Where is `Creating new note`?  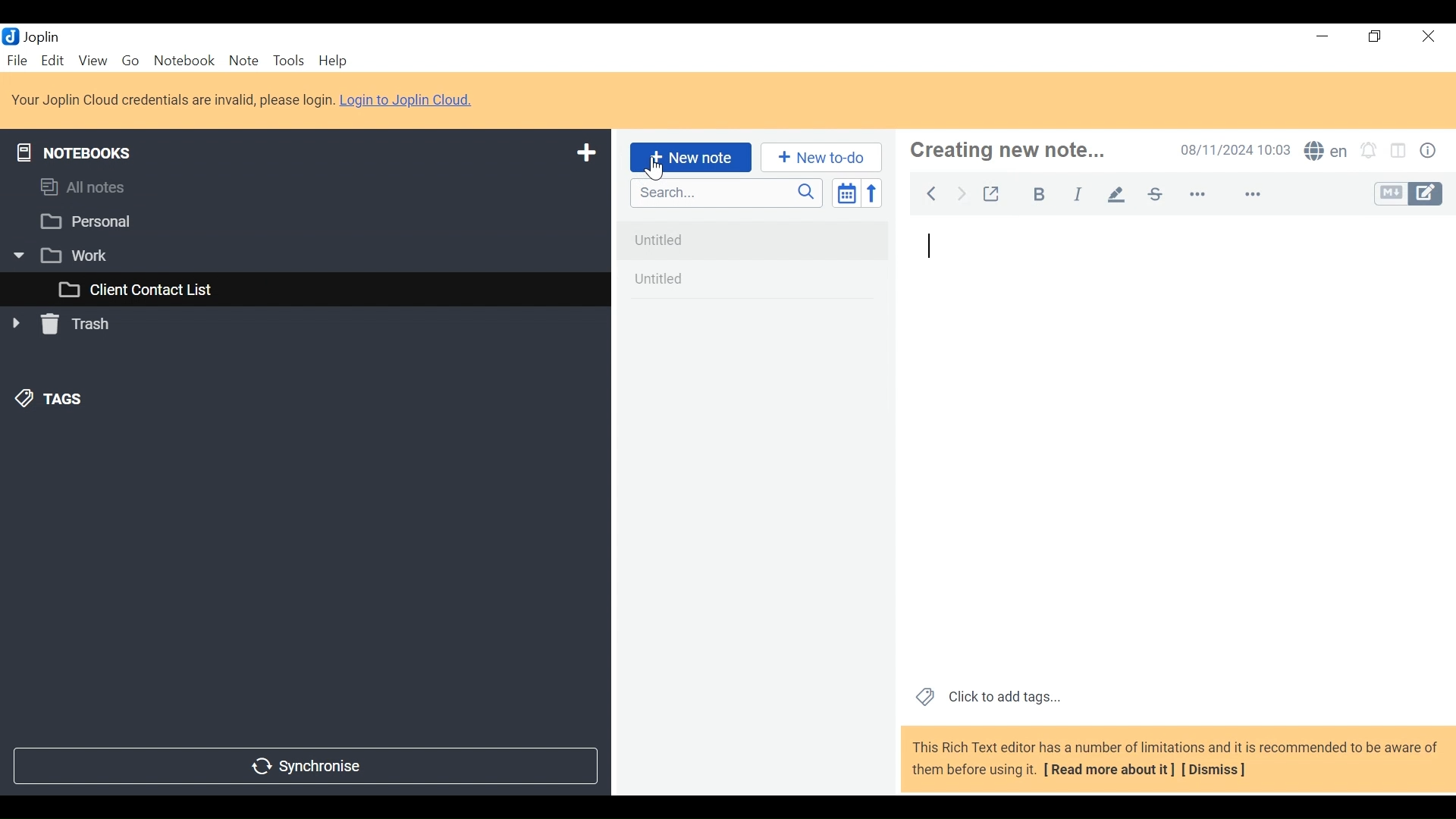 Creating new note is located at coordinates (1022, 150).